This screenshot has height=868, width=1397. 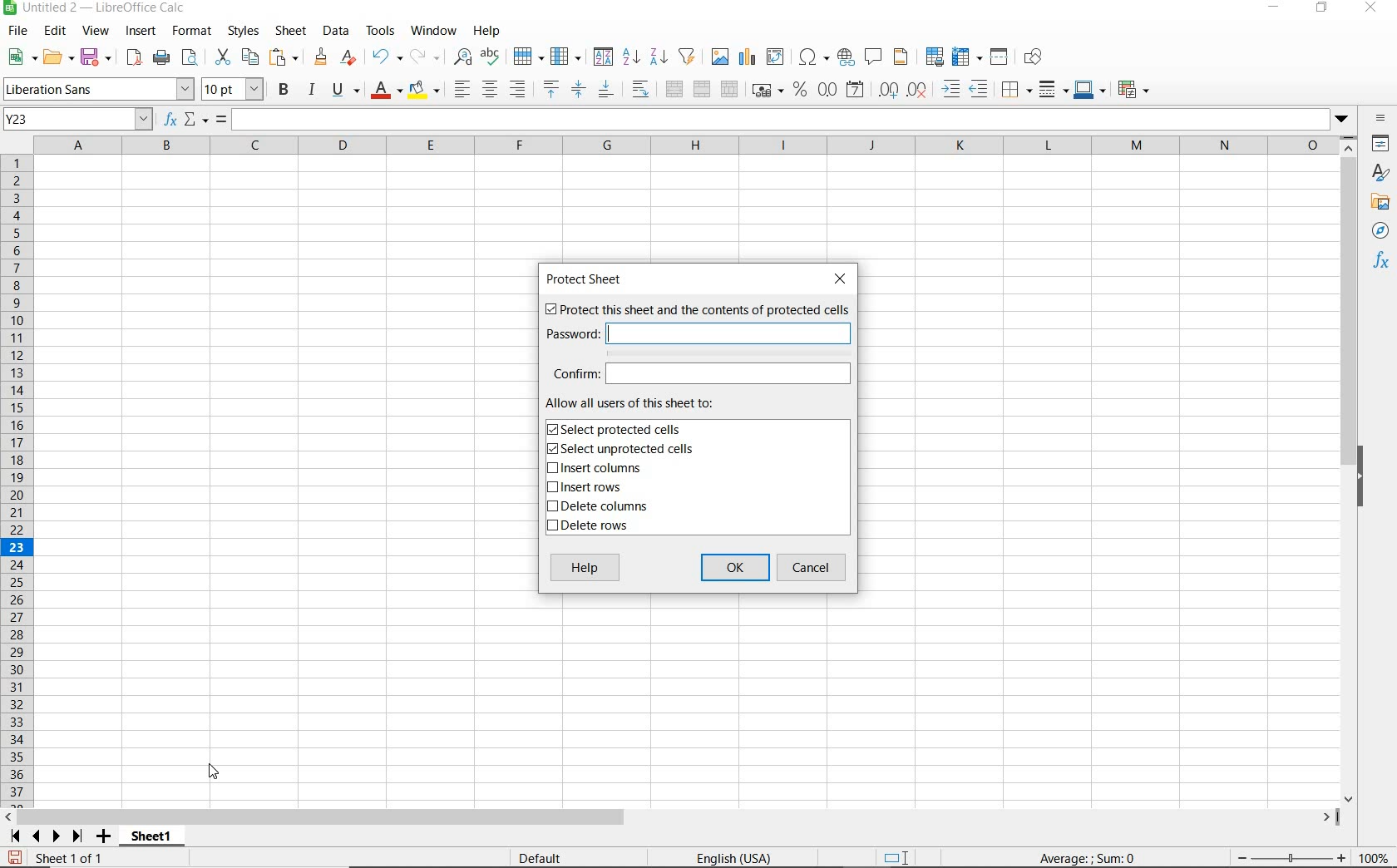 I want to click on SORTS, so click(x=604, y=57).